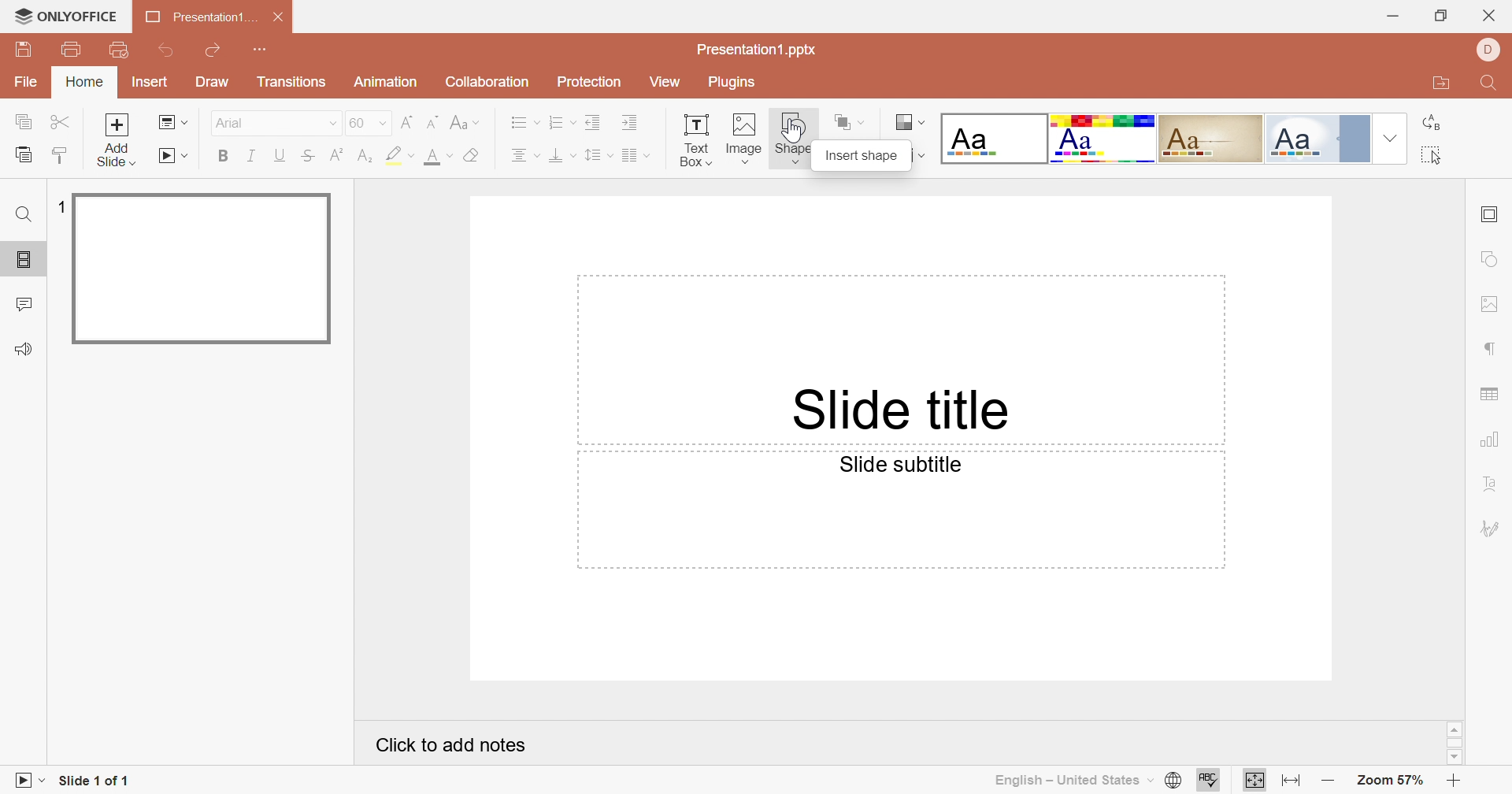 This screenshot has width=1512, height=794. What do you see at coordinates (1328, 781) in the screenshot?
I see `Zoom out` at bounding box center [1328, 781].